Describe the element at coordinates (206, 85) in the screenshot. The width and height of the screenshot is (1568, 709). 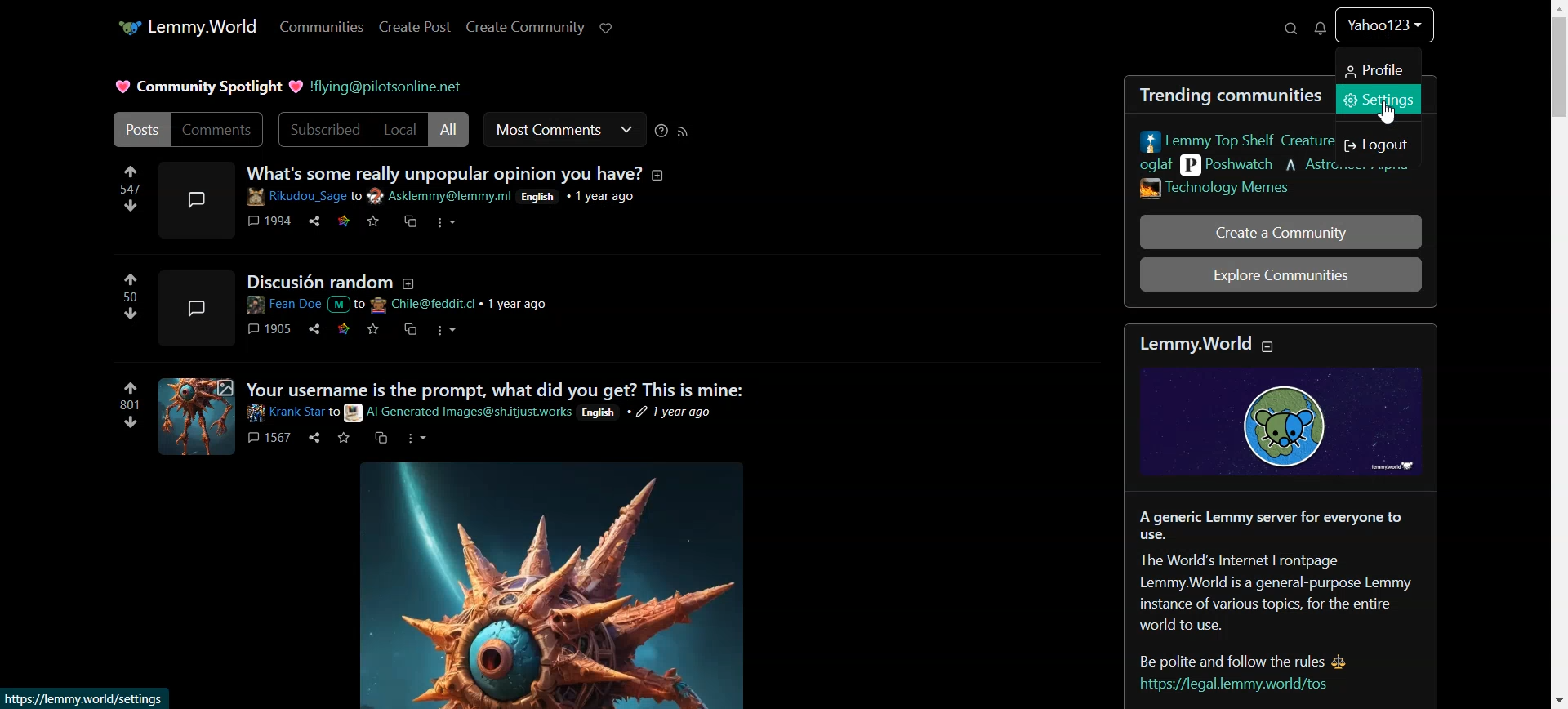
I see `Text` at that location.